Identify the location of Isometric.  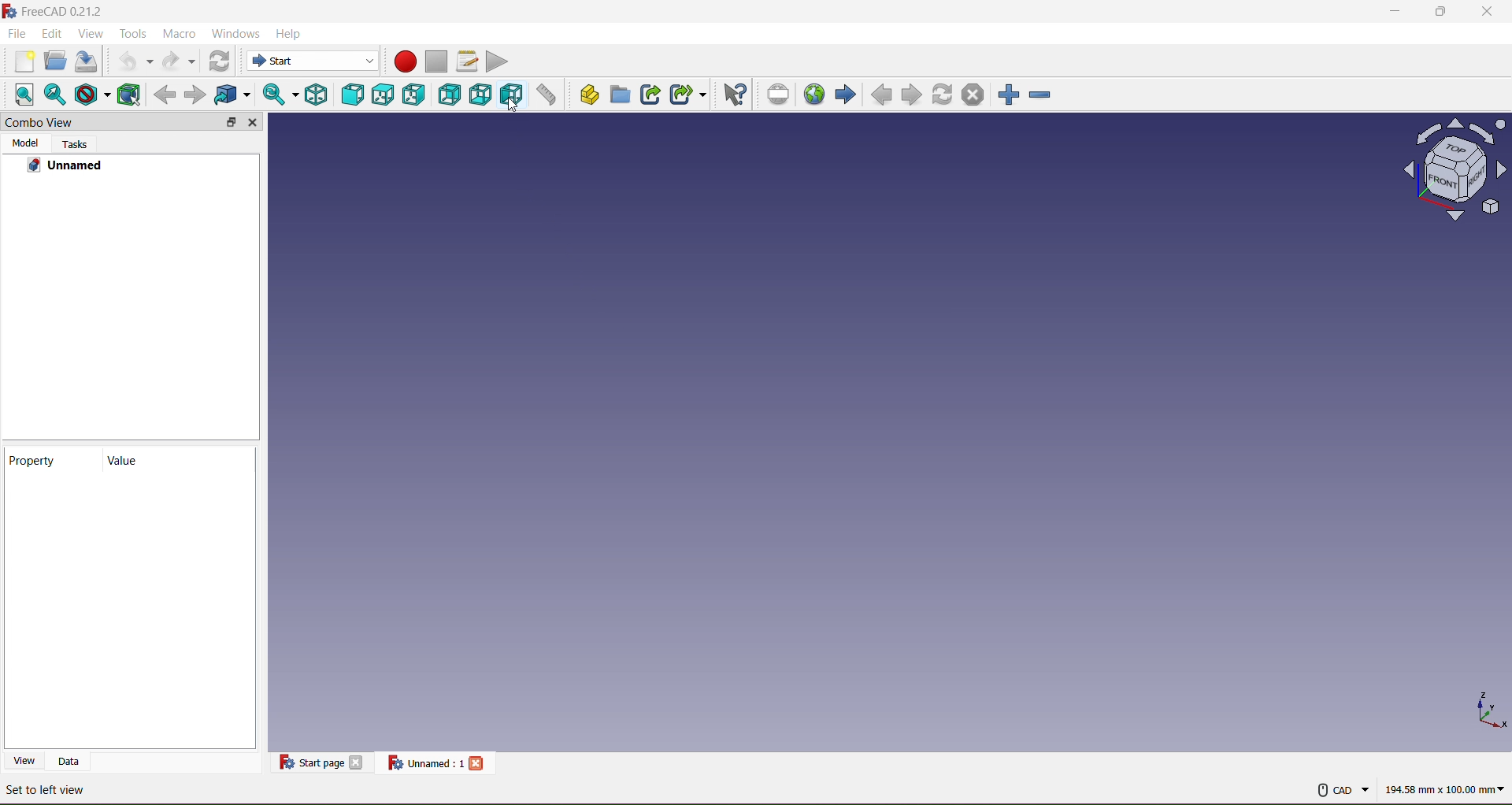
(316, 94).